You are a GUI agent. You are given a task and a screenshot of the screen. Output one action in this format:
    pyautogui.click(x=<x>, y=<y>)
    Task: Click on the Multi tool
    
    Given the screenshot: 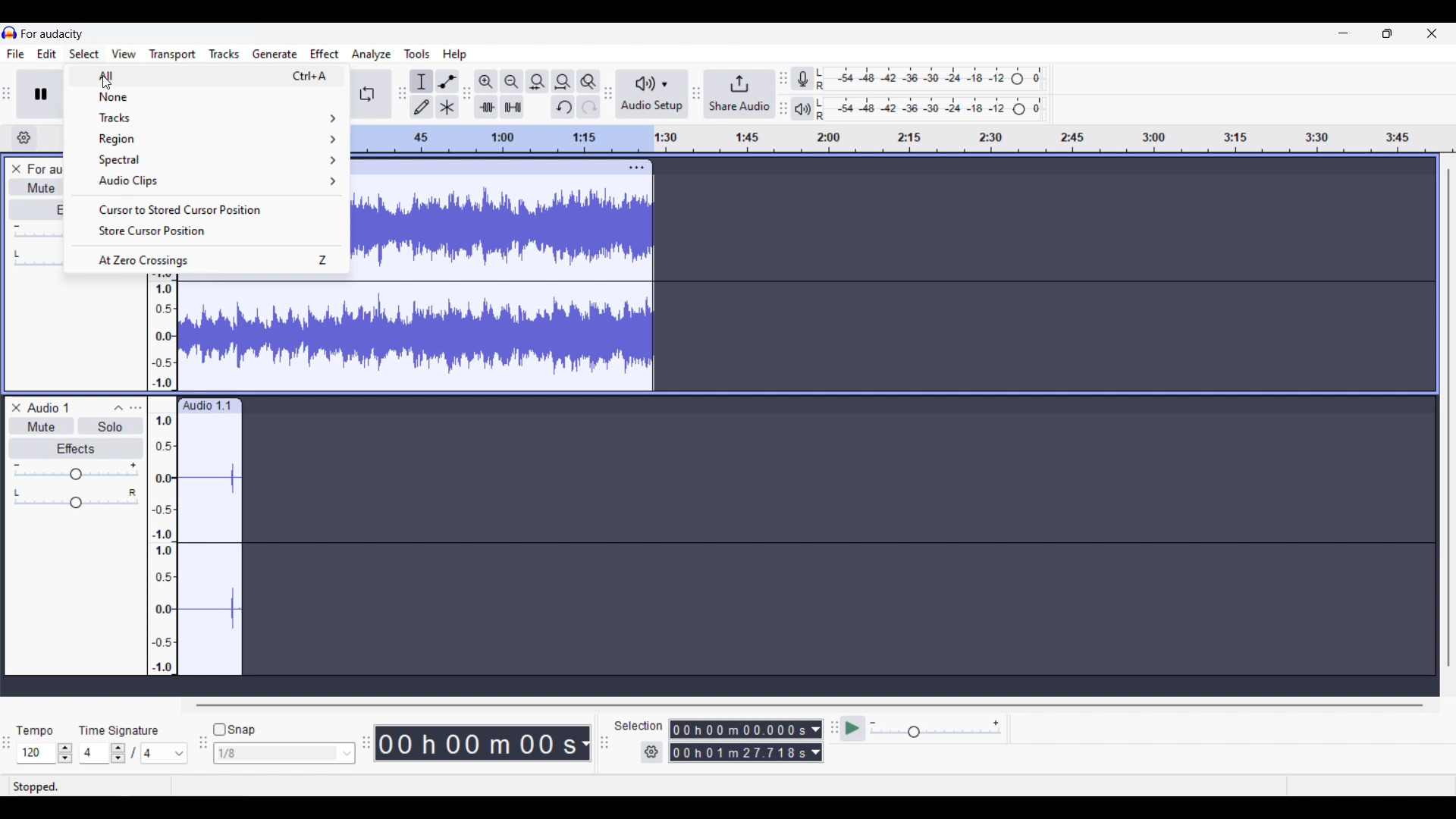 What is the action you would take?
    pyautogui.click(x=447, y=107)
    